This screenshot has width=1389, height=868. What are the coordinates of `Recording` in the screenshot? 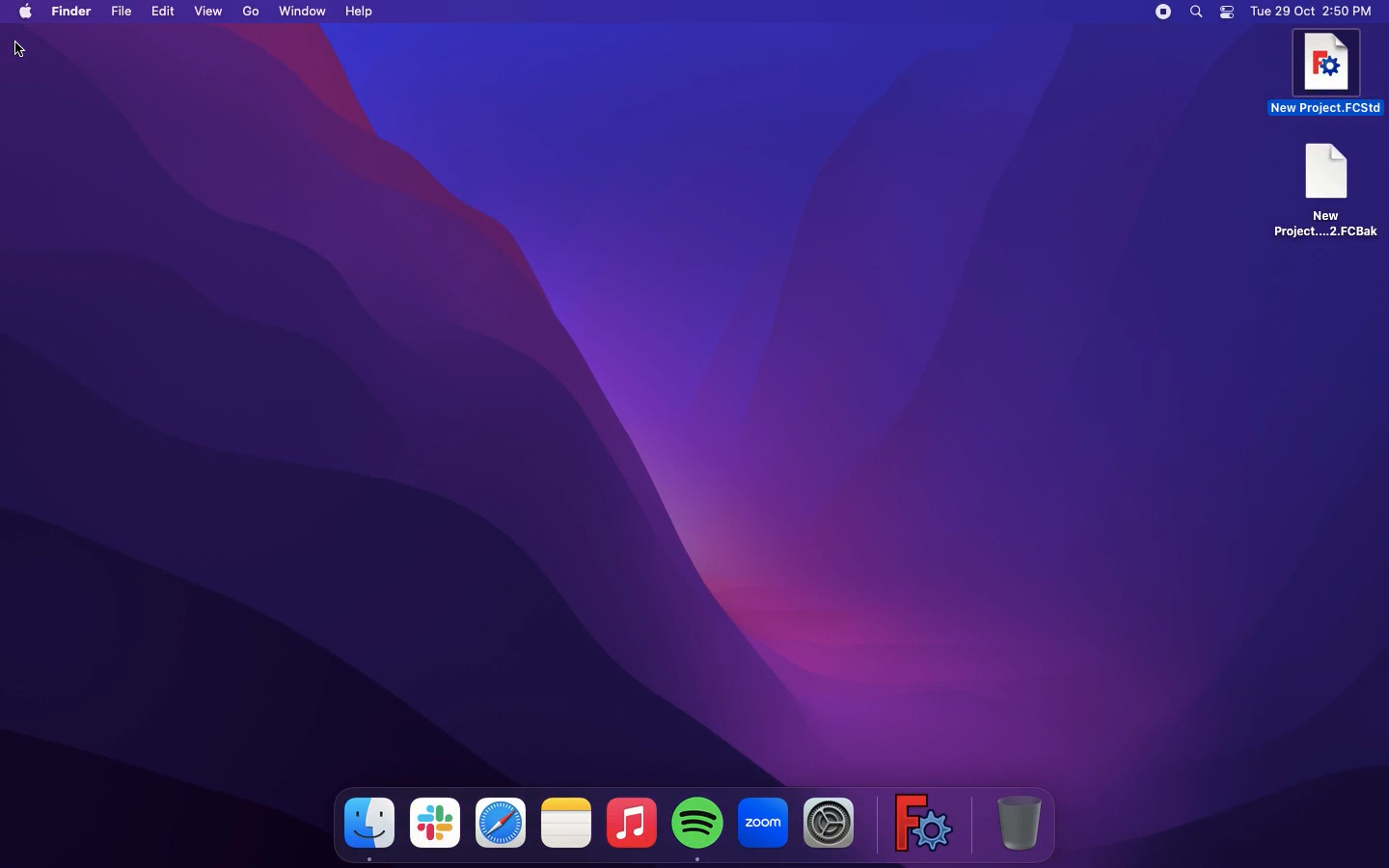 It's located at (1165, 12).